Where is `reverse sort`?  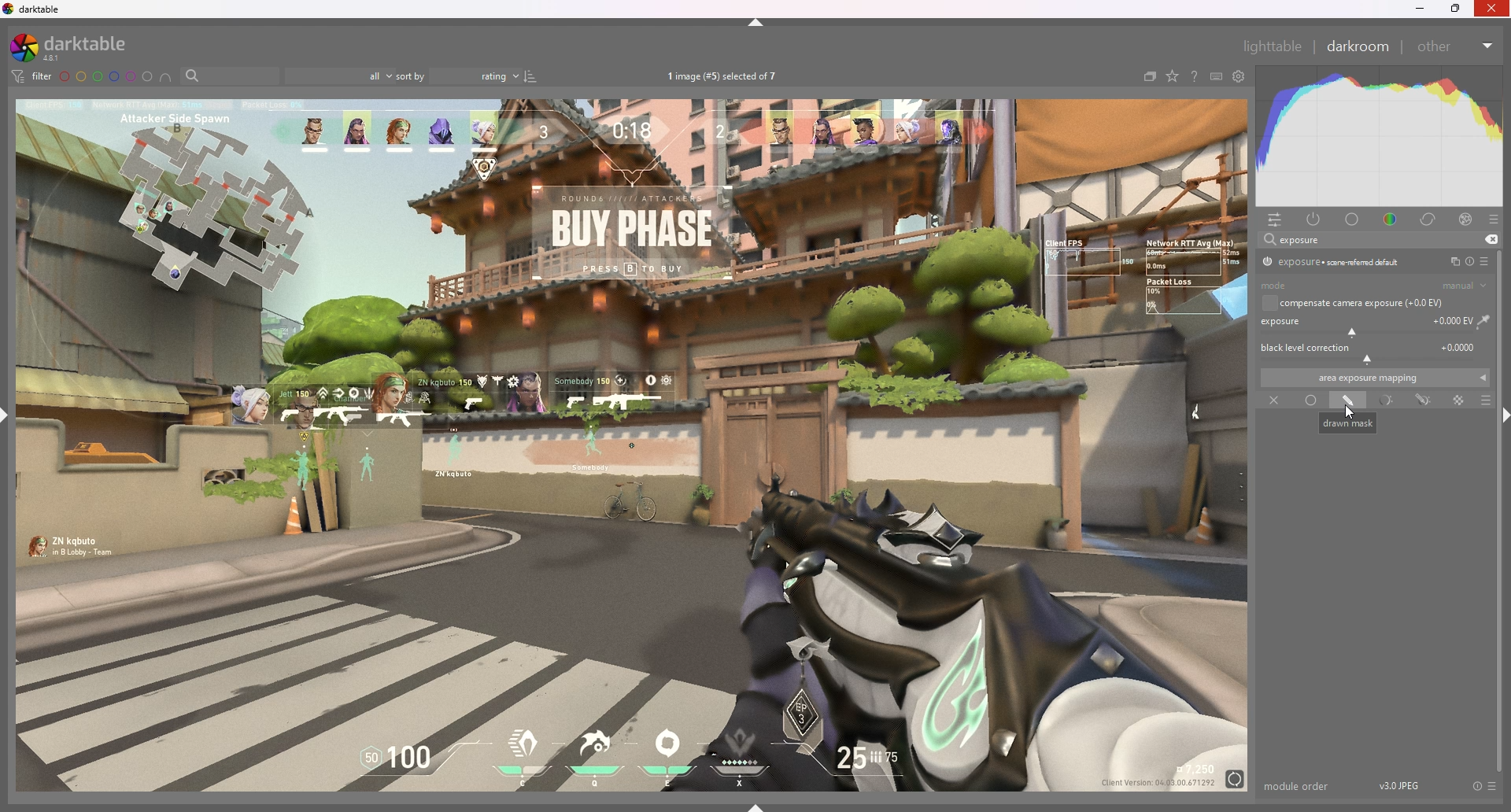
reverse sort is located at coordinates (531, 76).